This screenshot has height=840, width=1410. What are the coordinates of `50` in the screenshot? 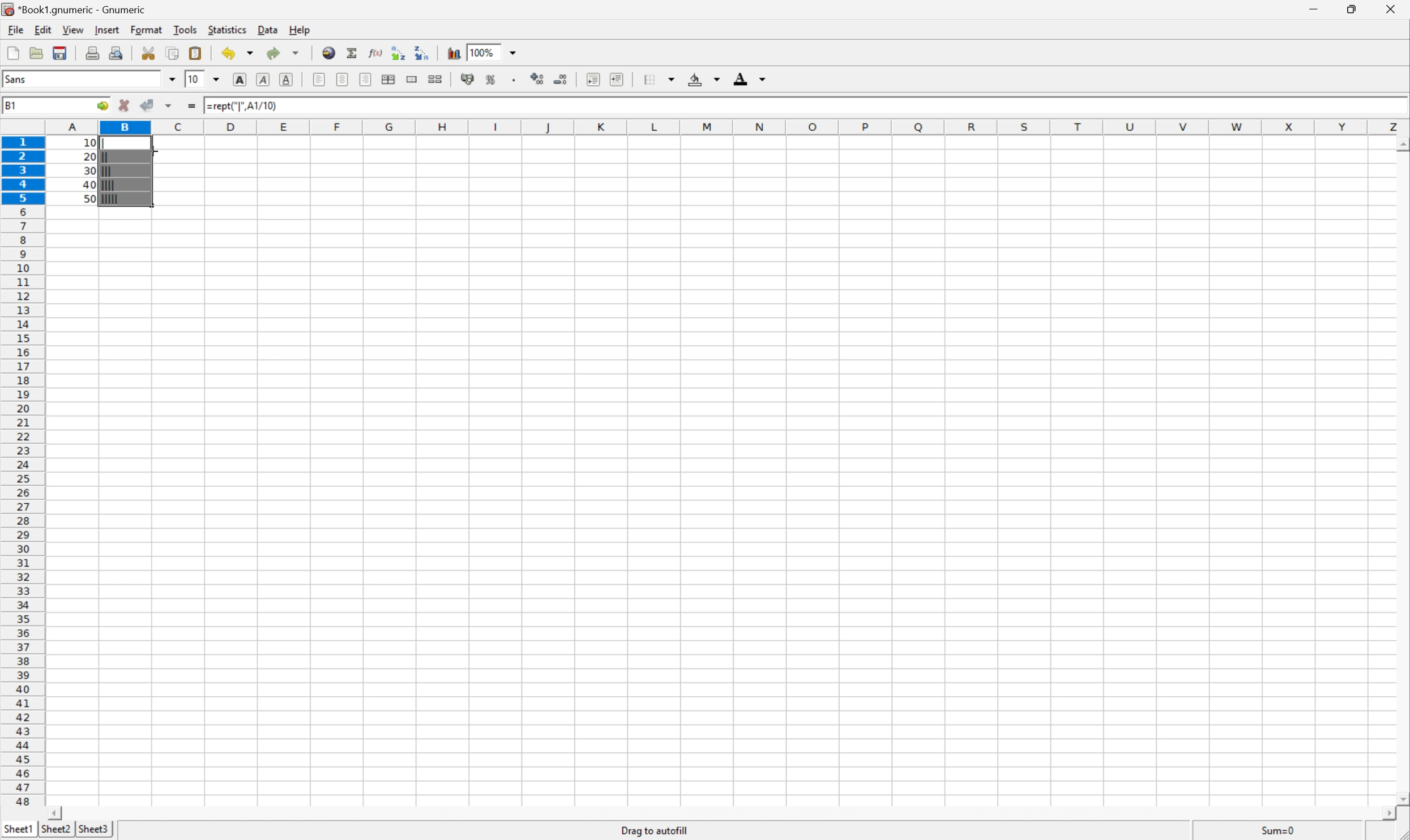 It's located at (90, 199).